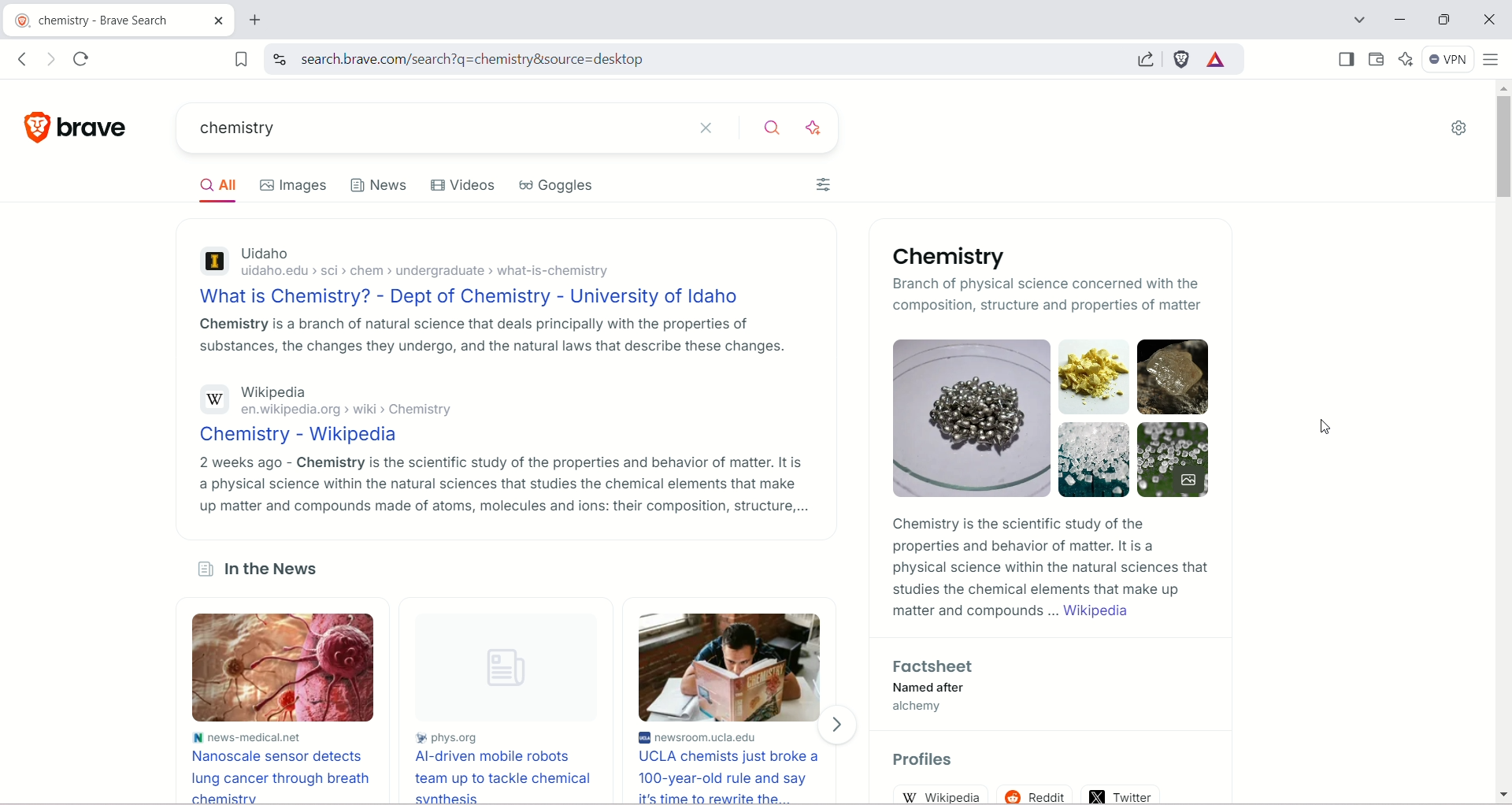  I want to click on Uidaho, so click(272, 251).